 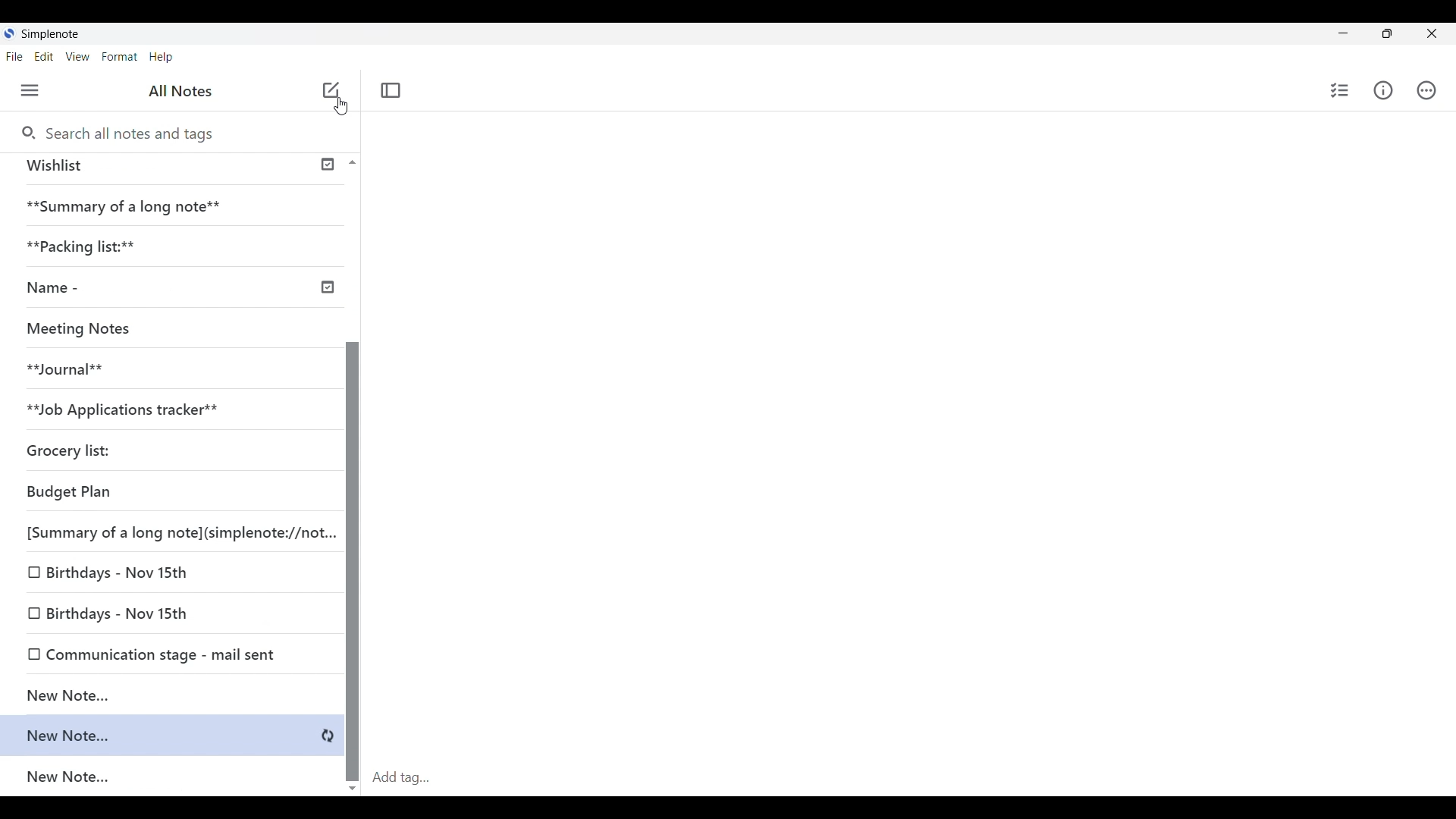 I want to click on Help, so click(x=162, y=58).